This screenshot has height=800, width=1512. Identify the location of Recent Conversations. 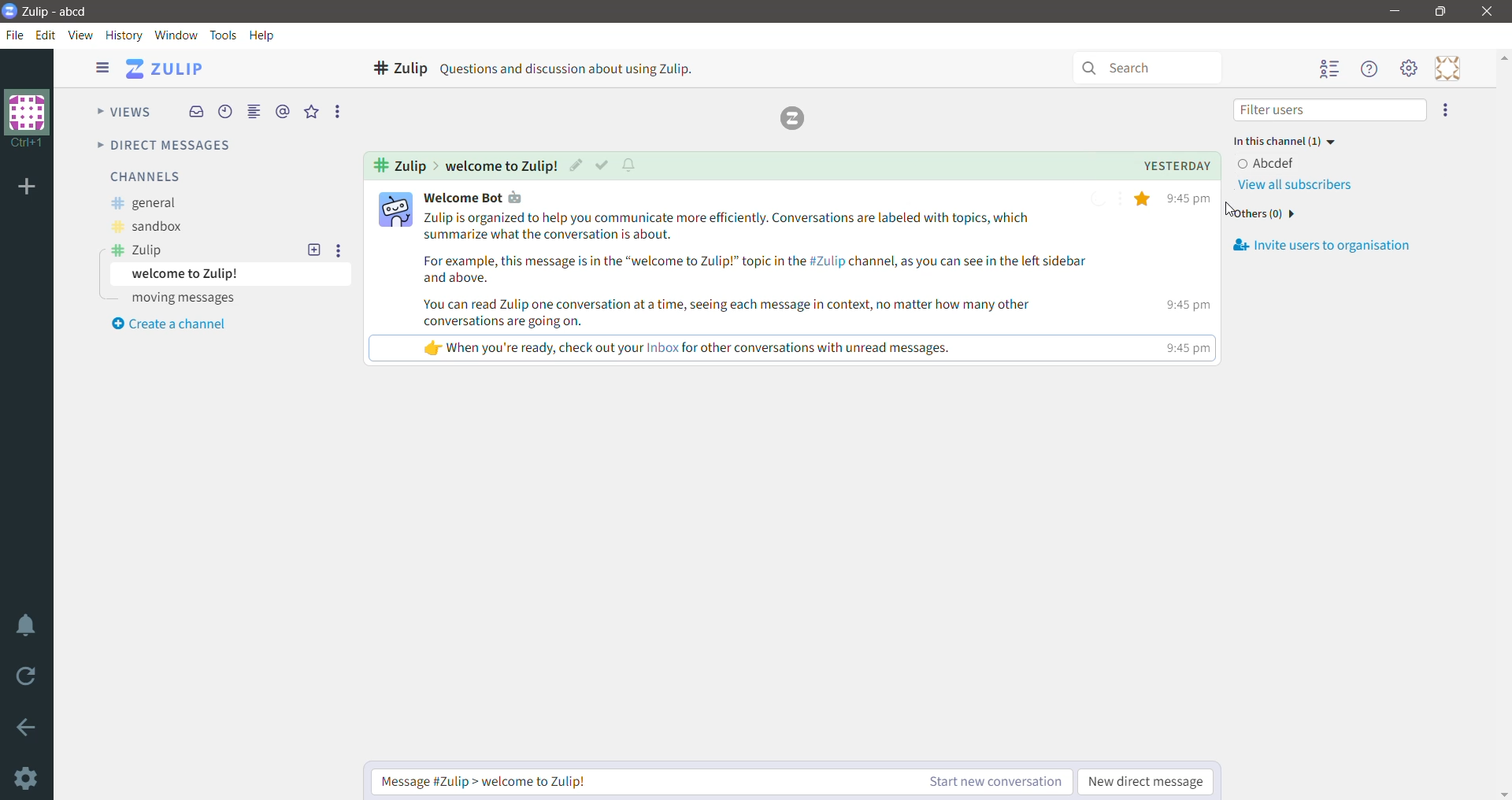
(224, 112).